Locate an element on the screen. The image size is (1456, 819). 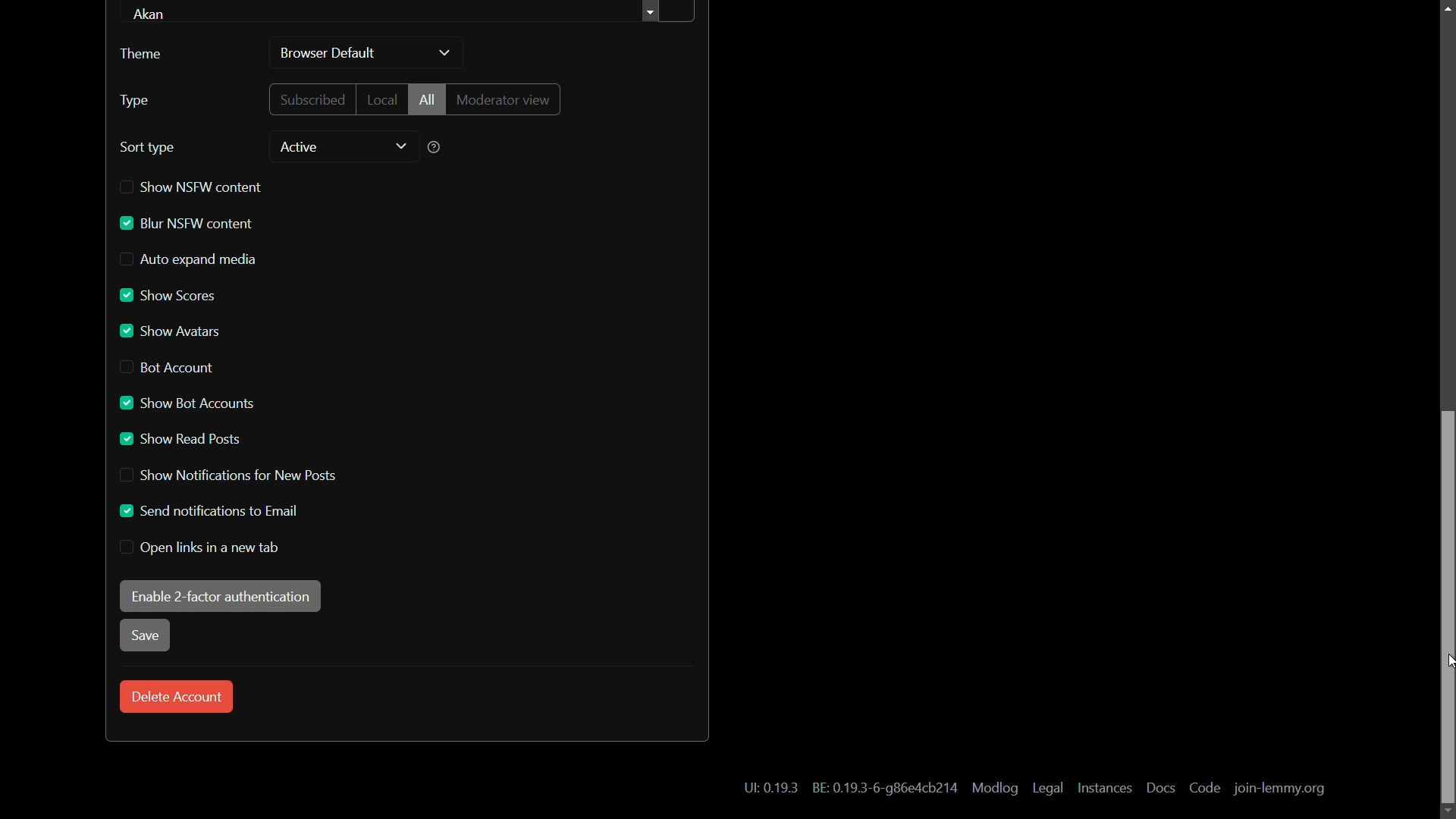
legal is located at coordinates (1050, 789).